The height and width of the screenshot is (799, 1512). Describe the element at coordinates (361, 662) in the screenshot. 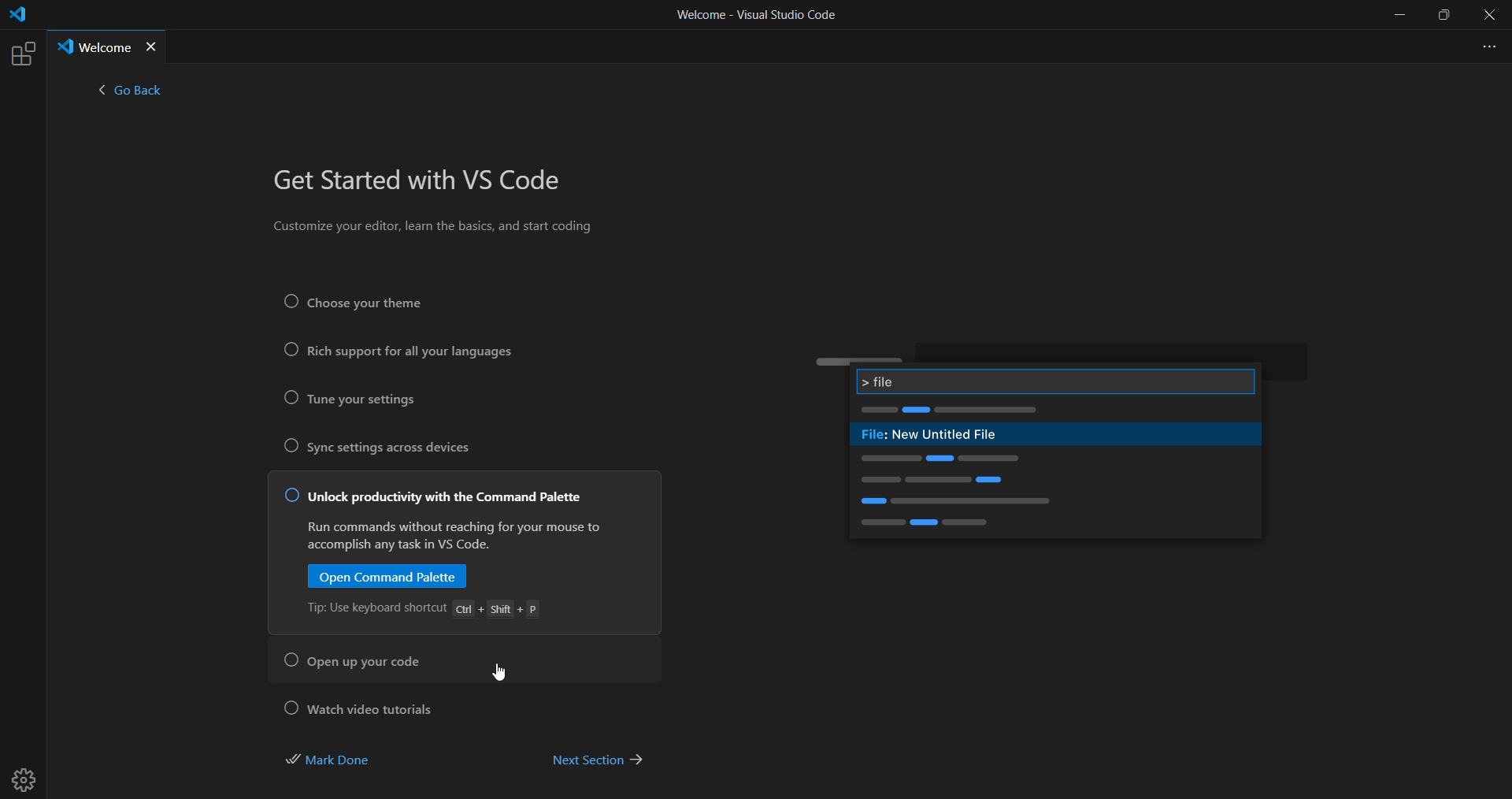

I see `open up your code` at that location.